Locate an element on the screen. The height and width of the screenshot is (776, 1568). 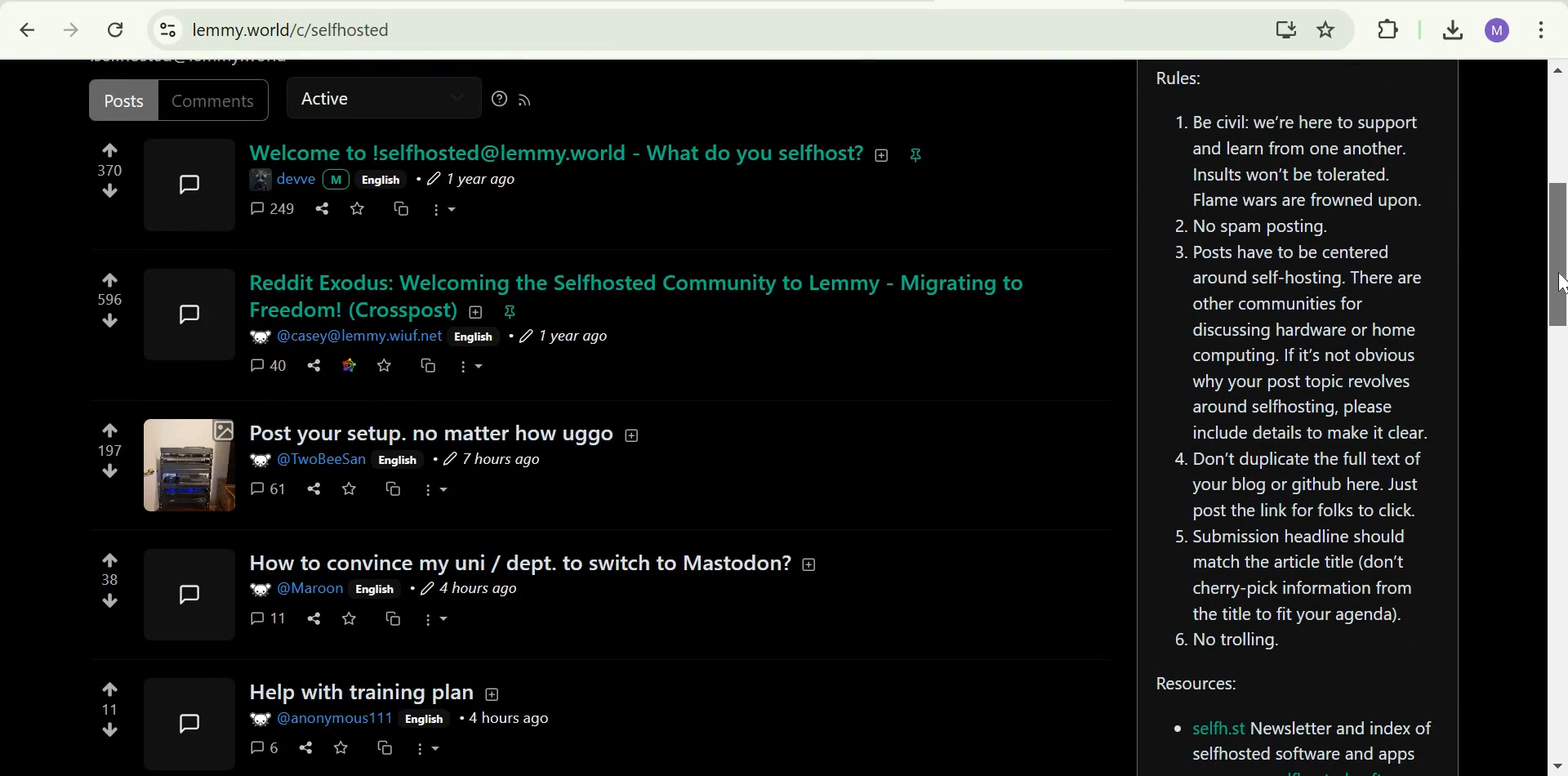
Click to go back, hold to see history is located at coordinates (28, 29).